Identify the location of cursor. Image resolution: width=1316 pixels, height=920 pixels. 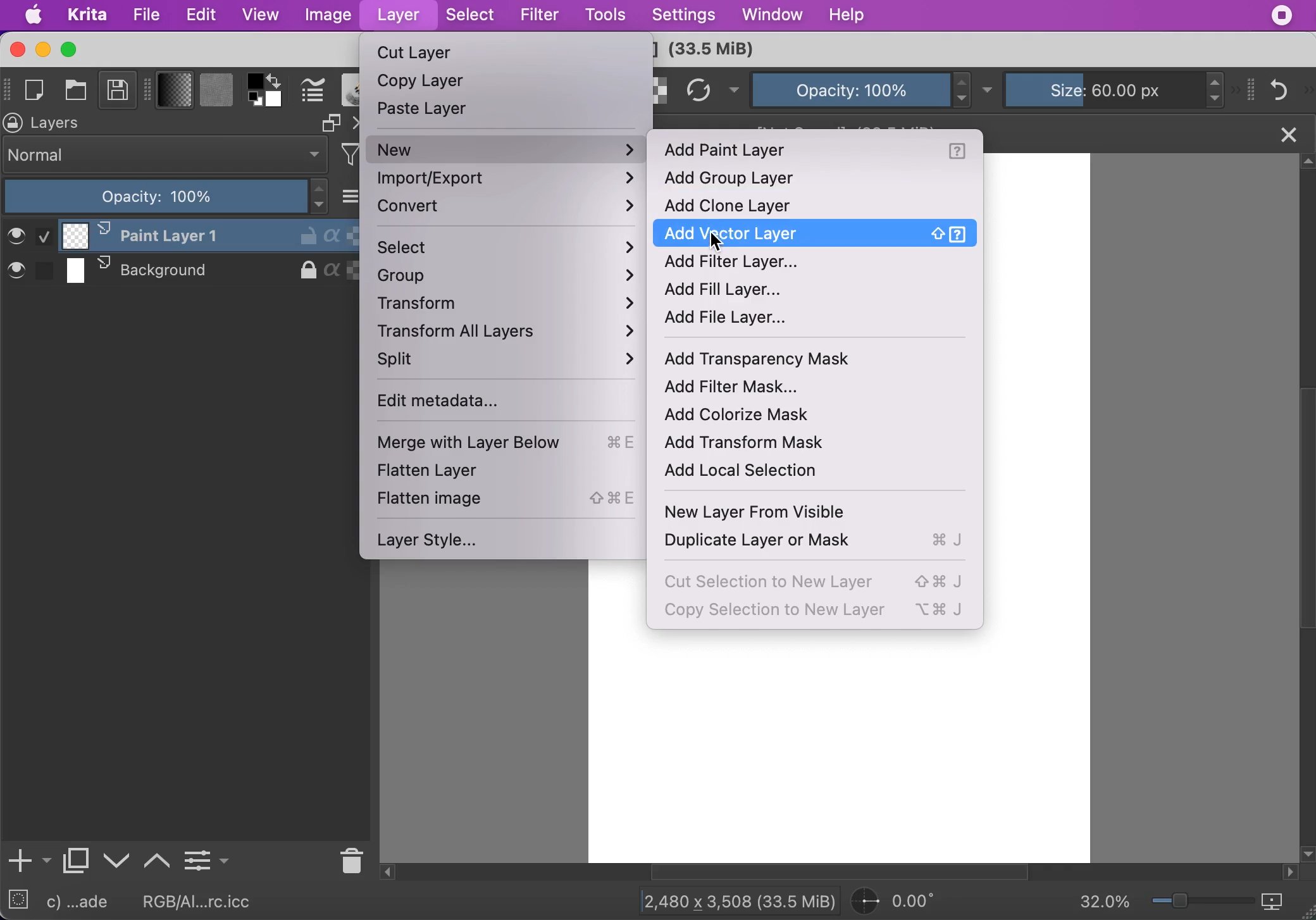
(717, 241).